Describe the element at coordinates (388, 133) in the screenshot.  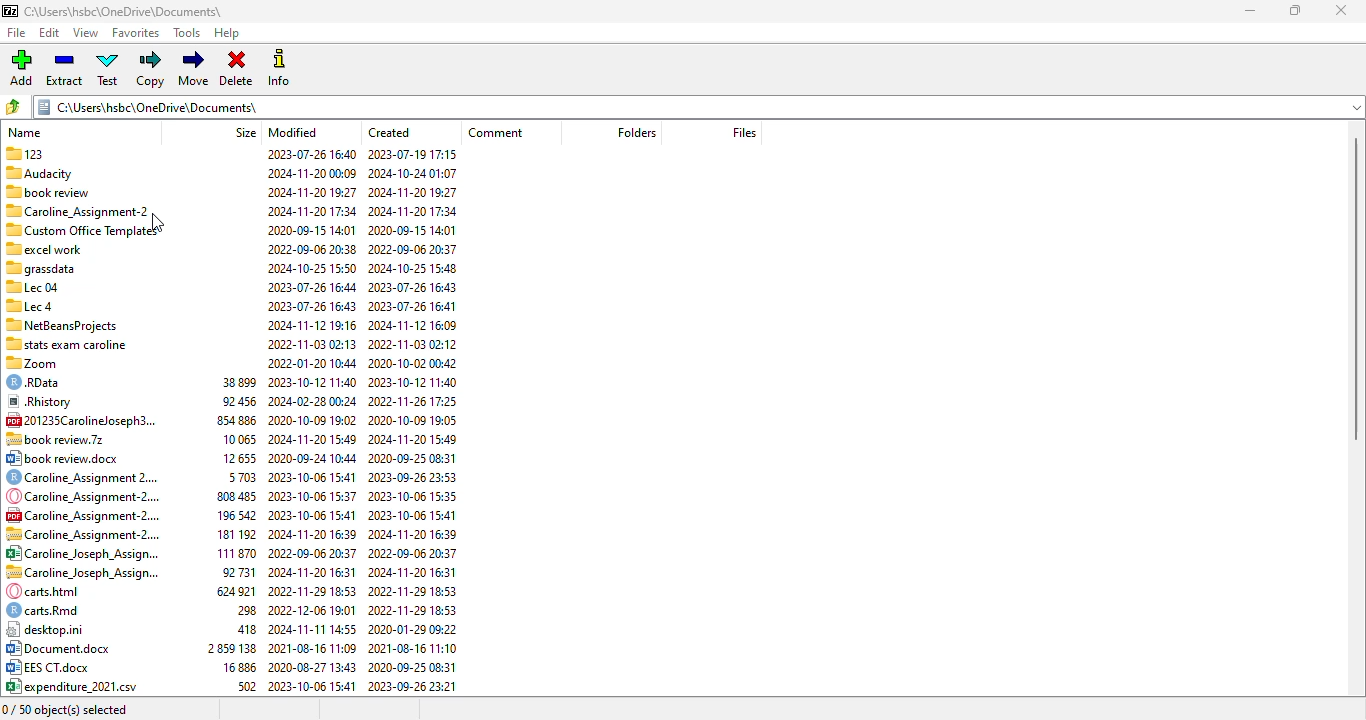
I see `created` at that location.